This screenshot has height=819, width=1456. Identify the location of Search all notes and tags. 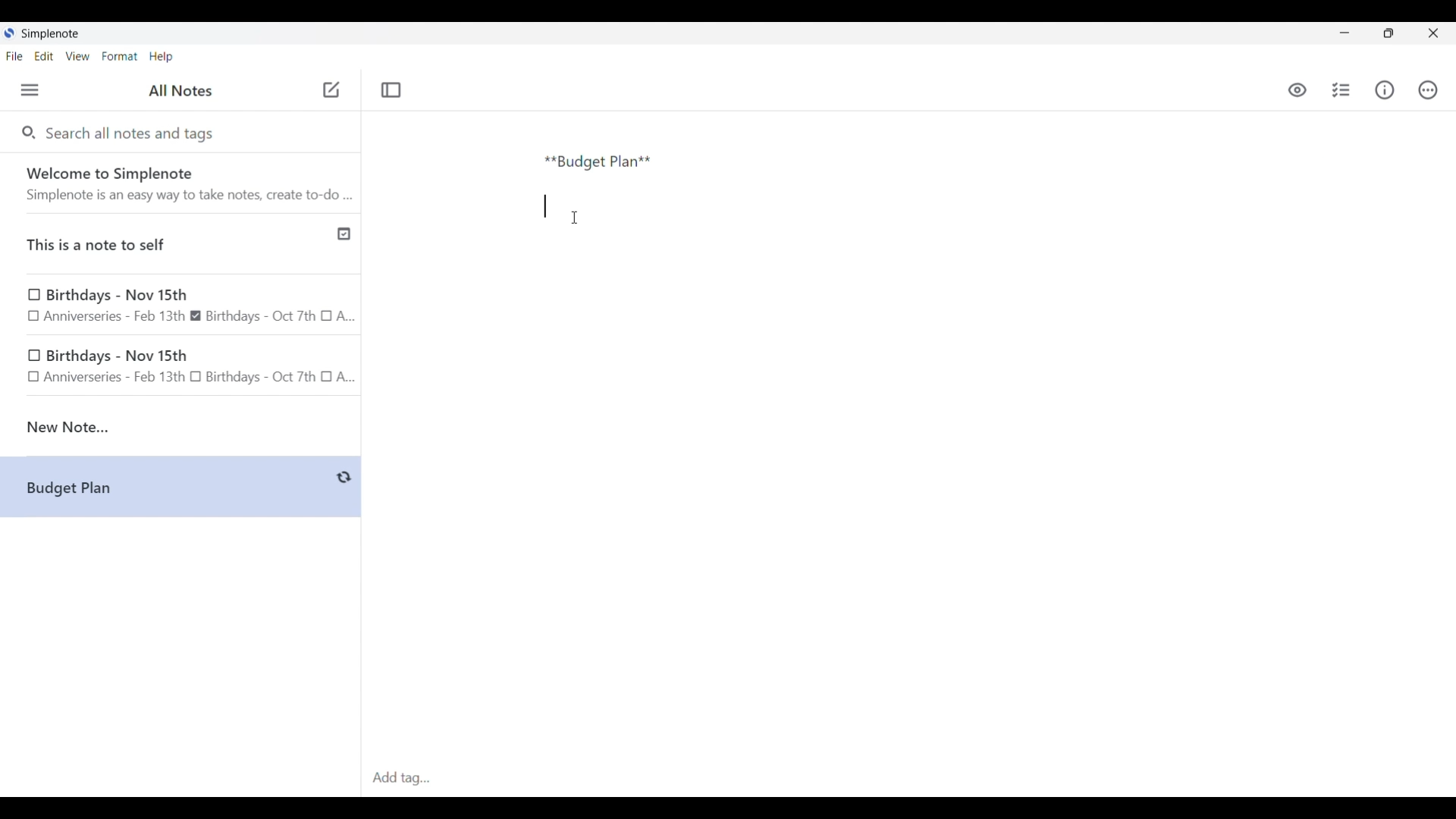
(133, 132).